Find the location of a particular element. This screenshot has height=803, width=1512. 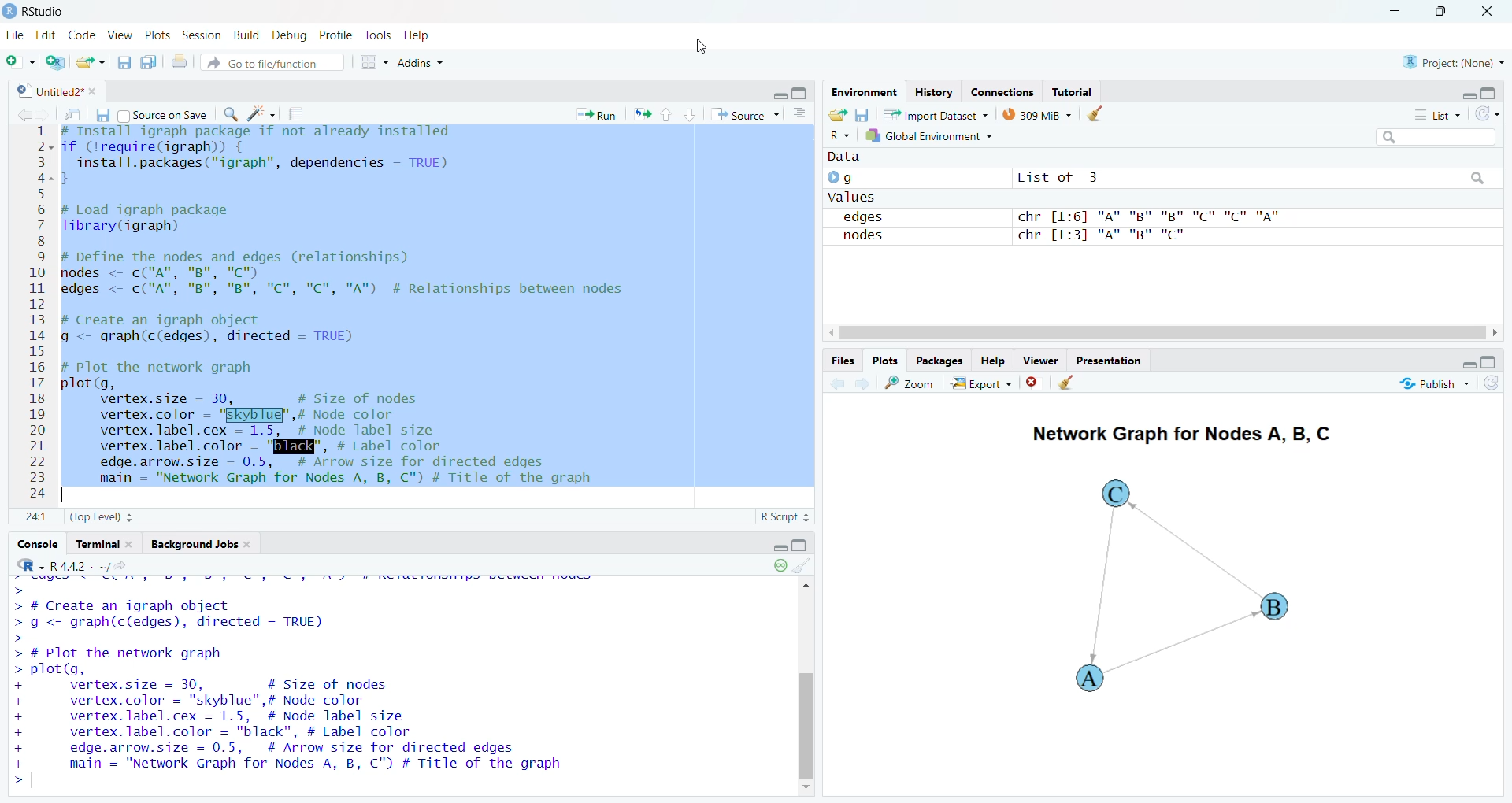

add script is located at coordinates (52, 62).